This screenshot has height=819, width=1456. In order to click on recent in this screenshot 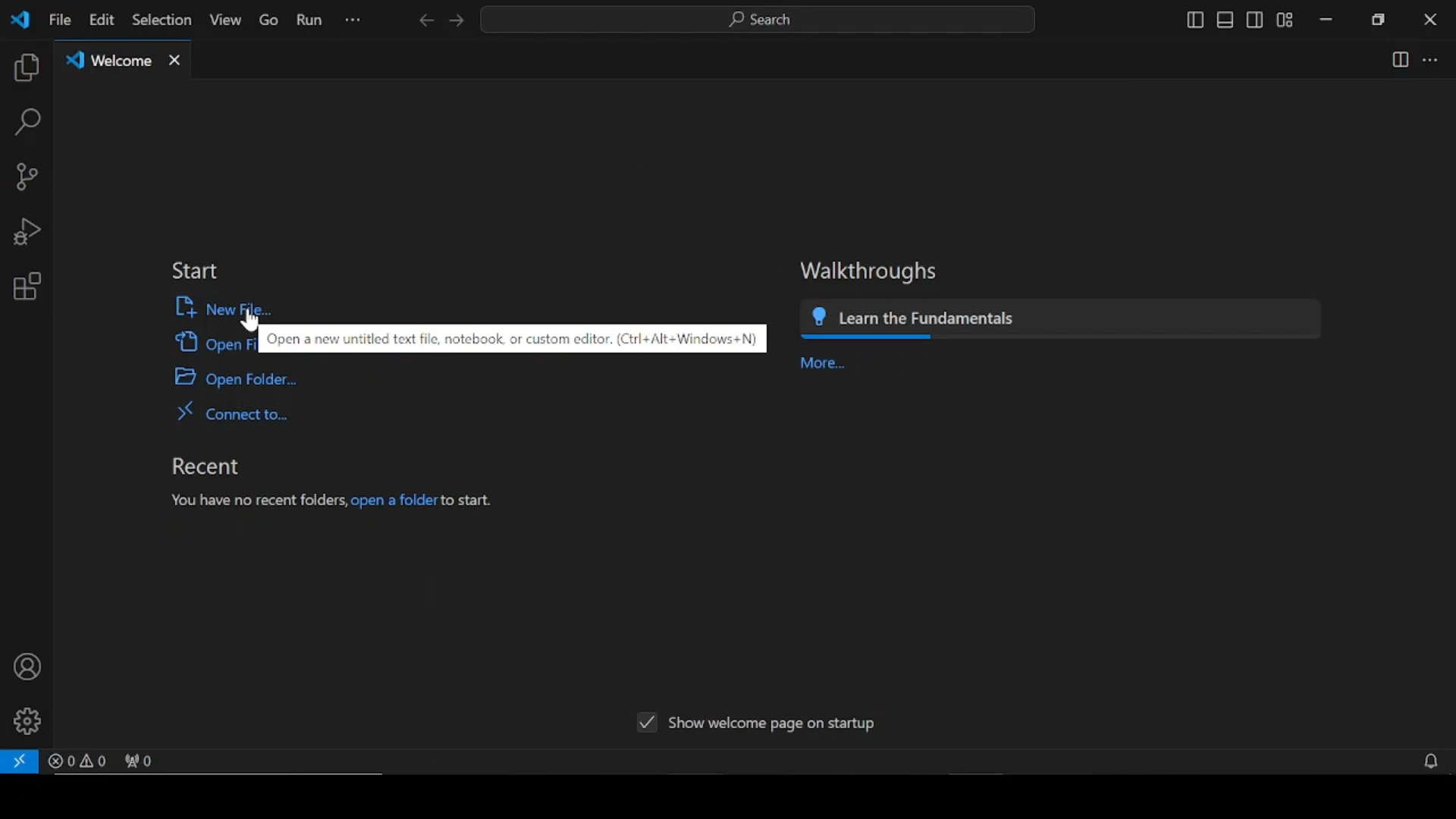, I will do `click(204, 466)`.